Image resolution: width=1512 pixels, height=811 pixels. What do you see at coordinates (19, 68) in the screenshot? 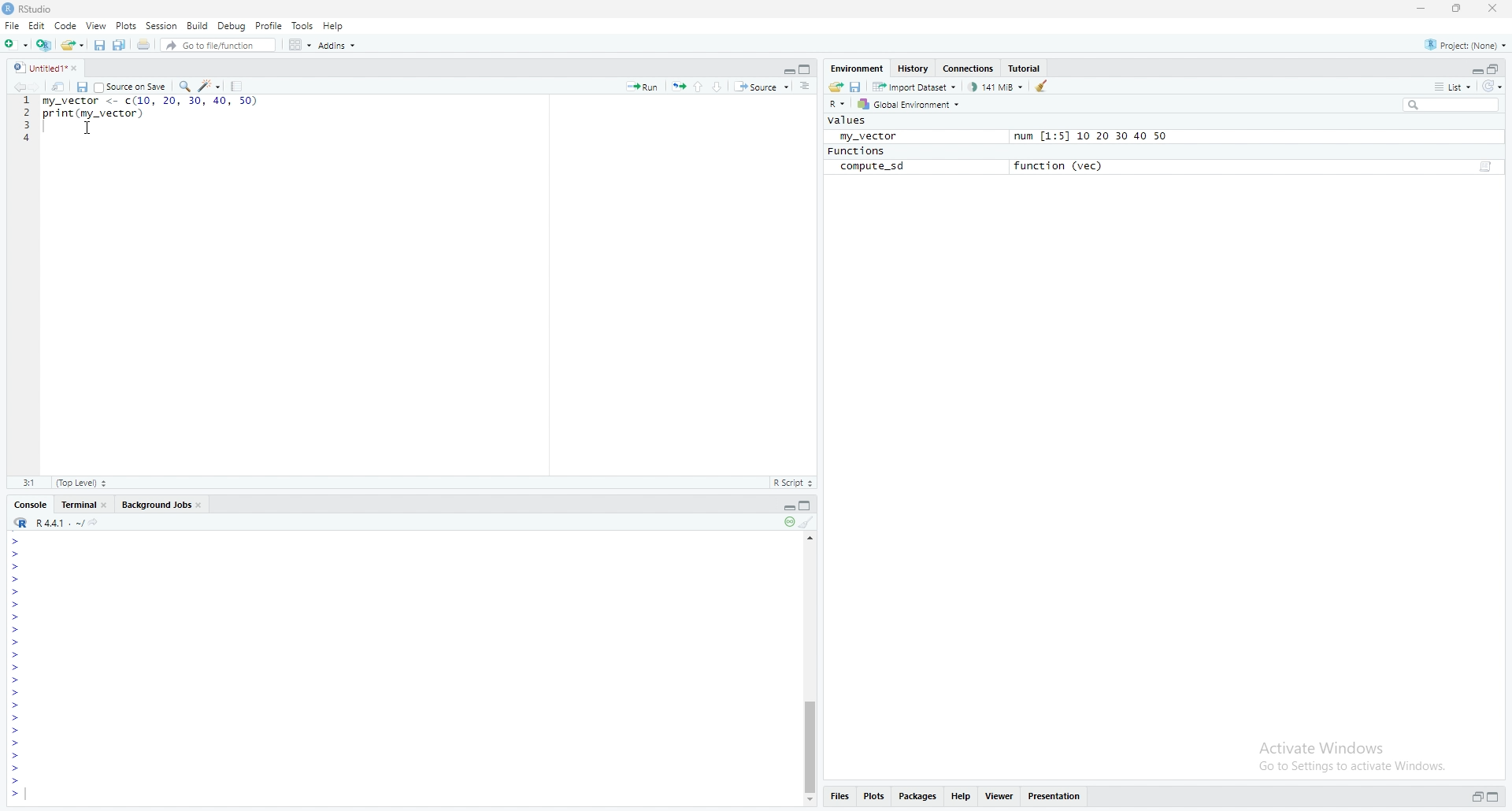
I see `RStudio logo` at bounding box center [19, 68].